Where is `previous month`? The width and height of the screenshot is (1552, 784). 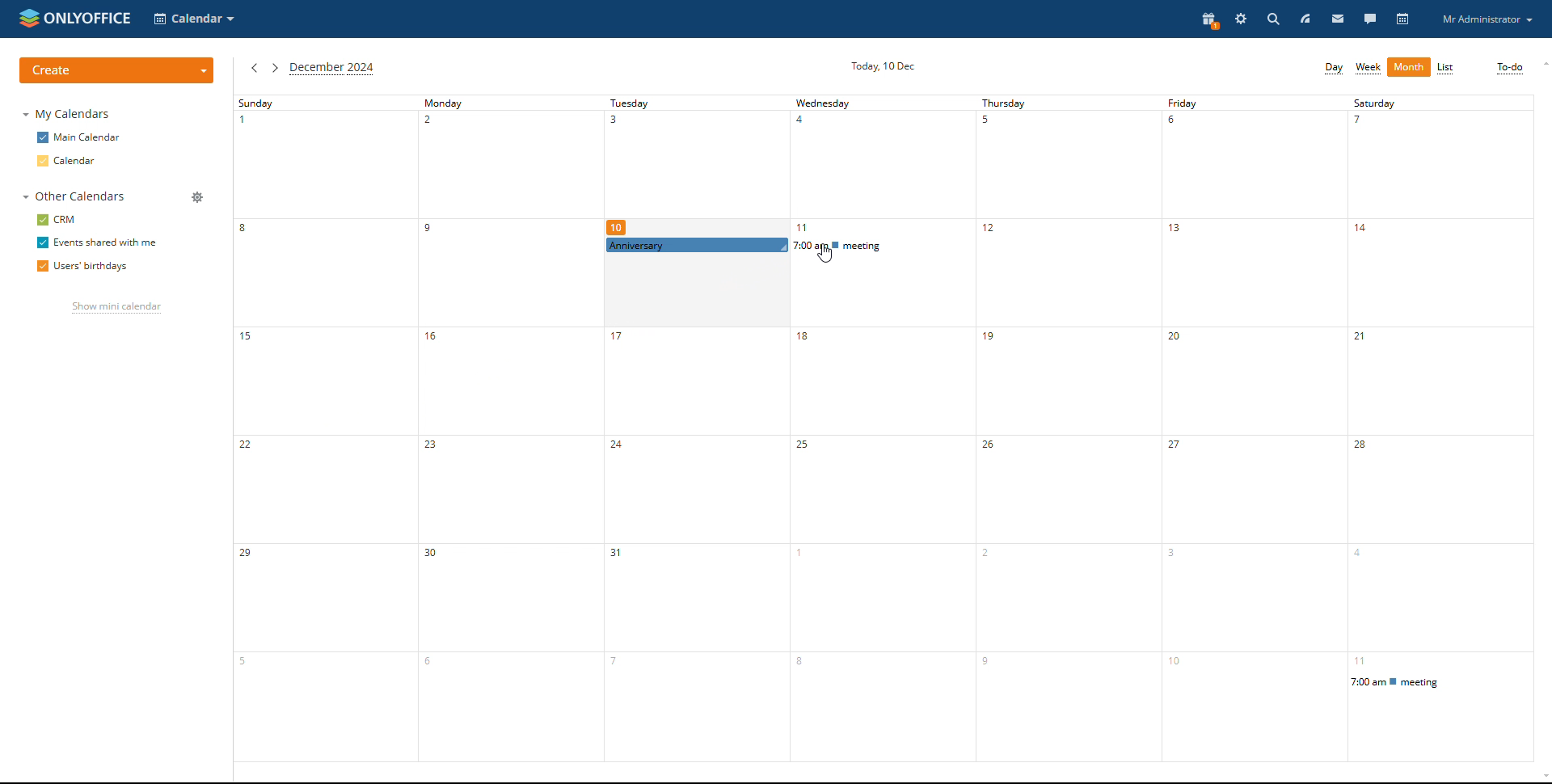
previous month is located at coordinates (253, 69).